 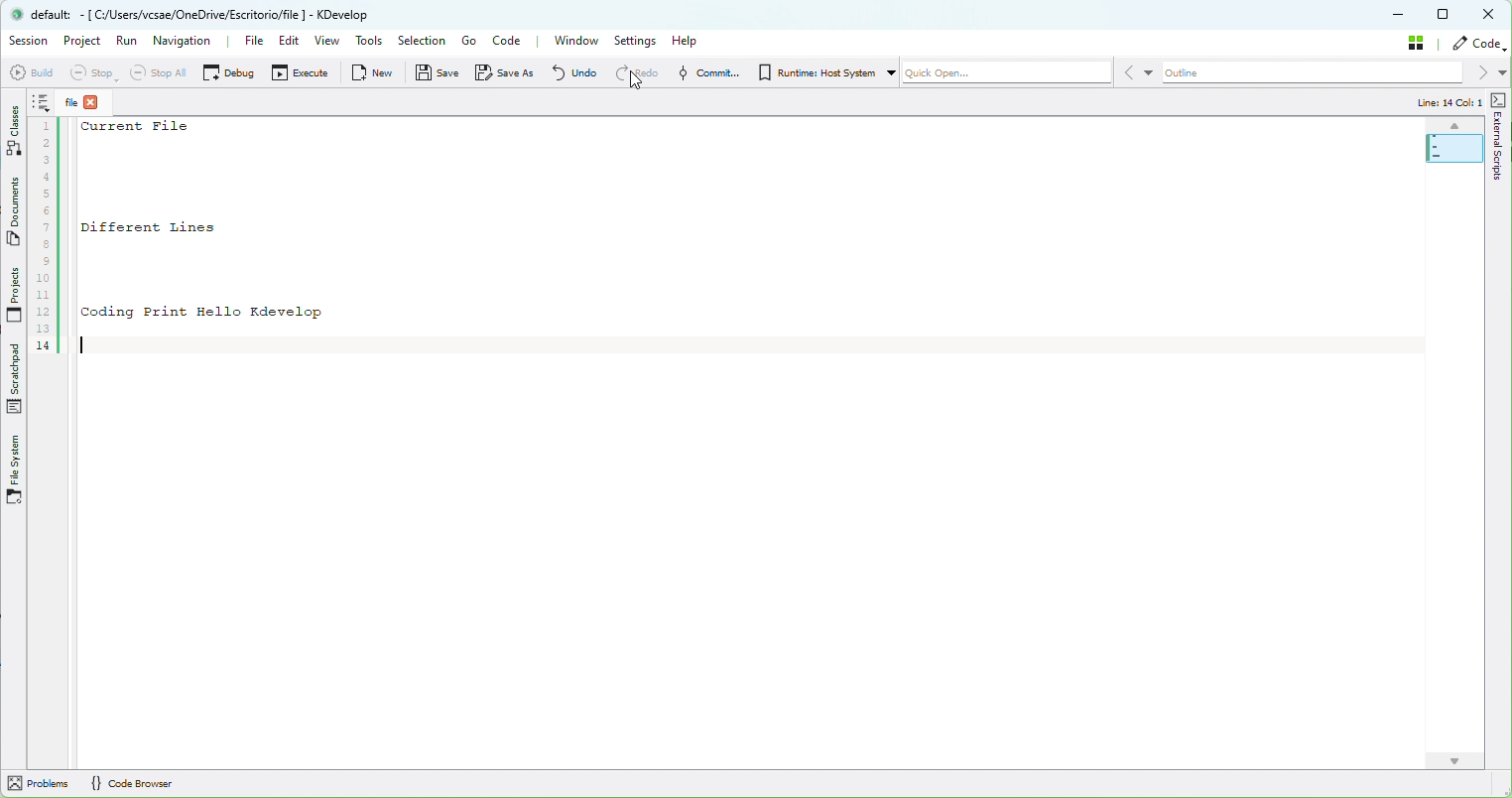 I want to click on Window, so click(x=575, y=41).